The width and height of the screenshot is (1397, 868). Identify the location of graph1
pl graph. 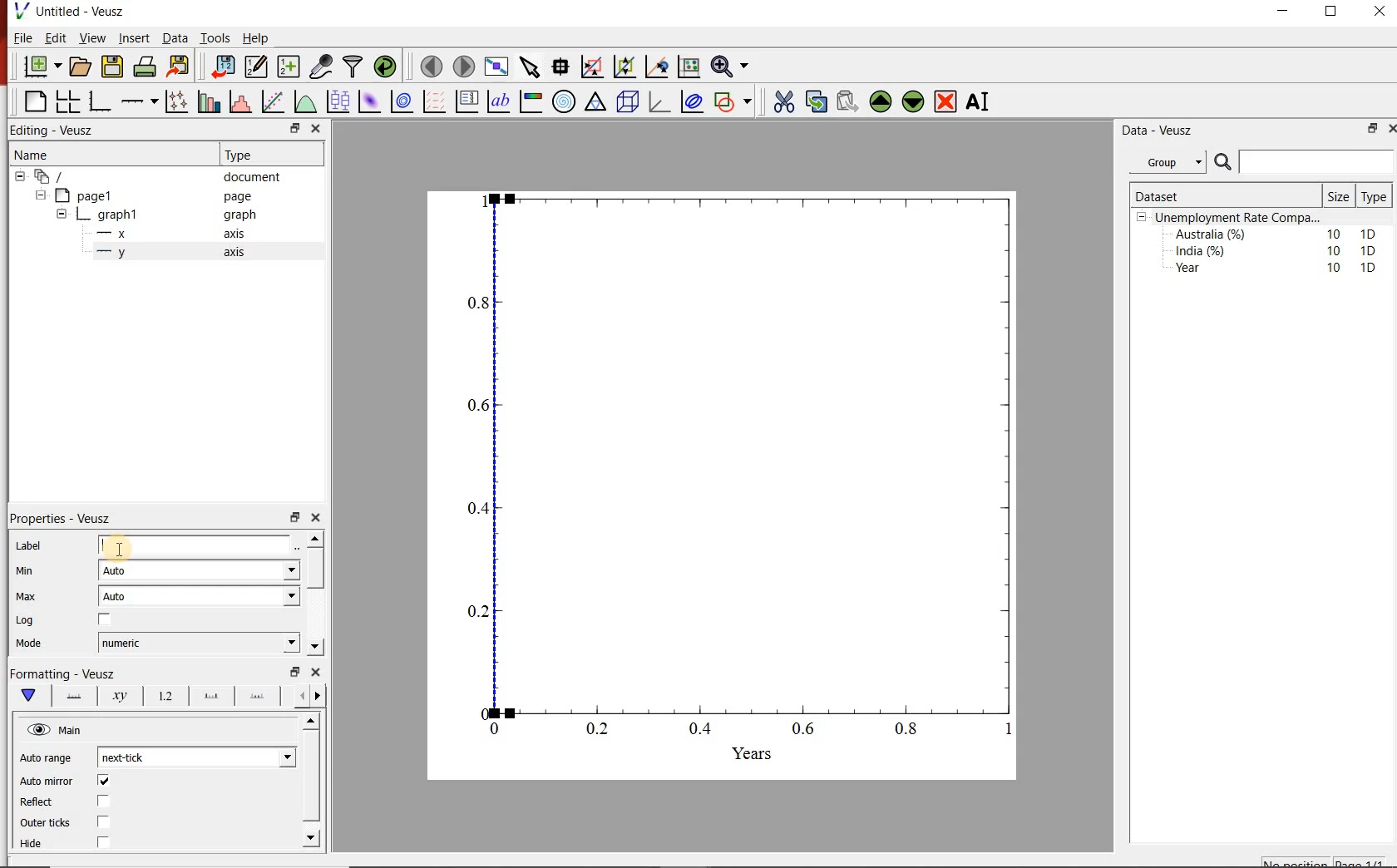
(172, 215).